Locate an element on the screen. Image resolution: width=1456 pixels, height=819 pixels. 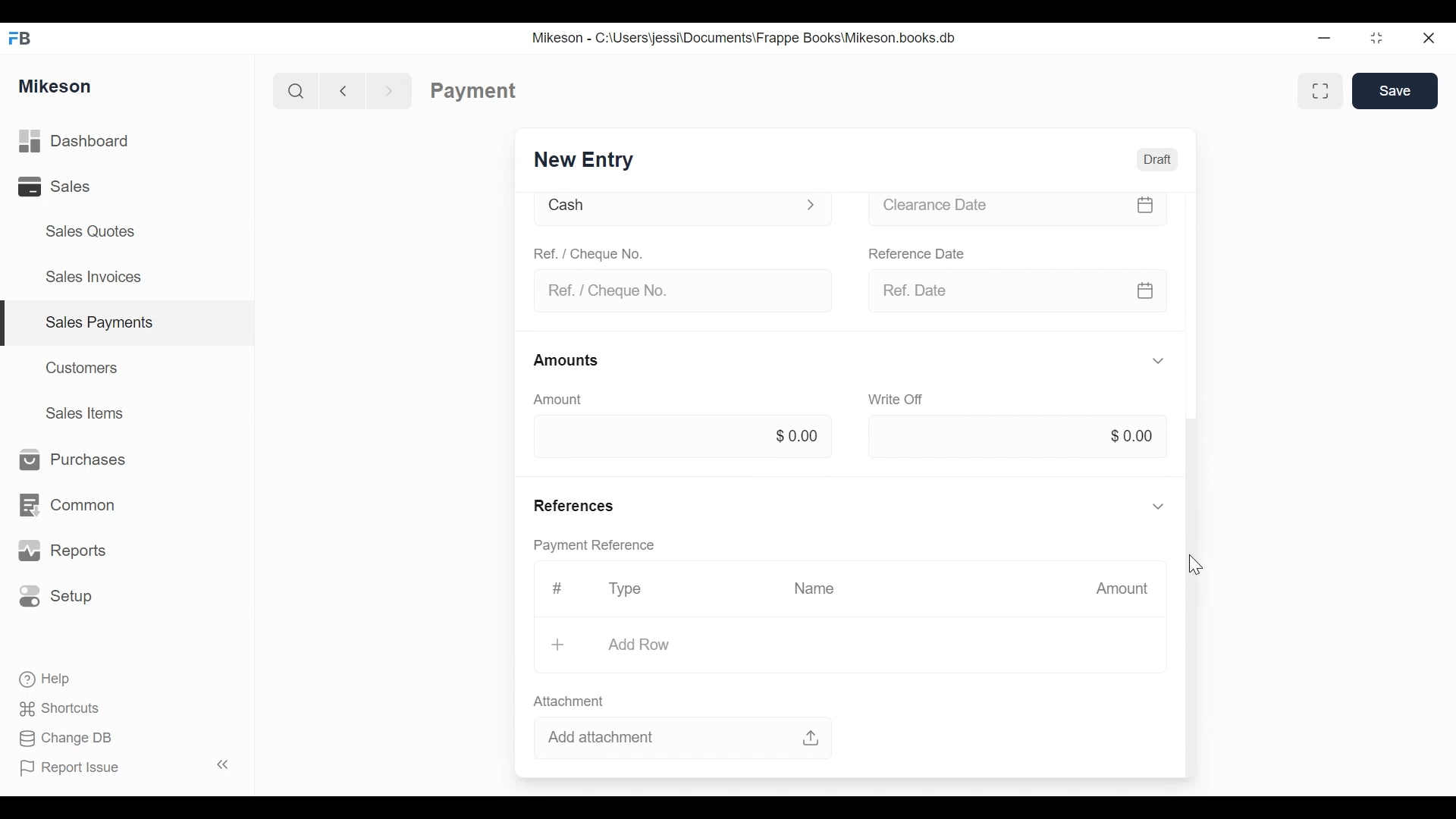
ikeson - C:\Users\jessi\Documents\Frappe Books\Mikeson.books.db is located at coordinates (742, 37).